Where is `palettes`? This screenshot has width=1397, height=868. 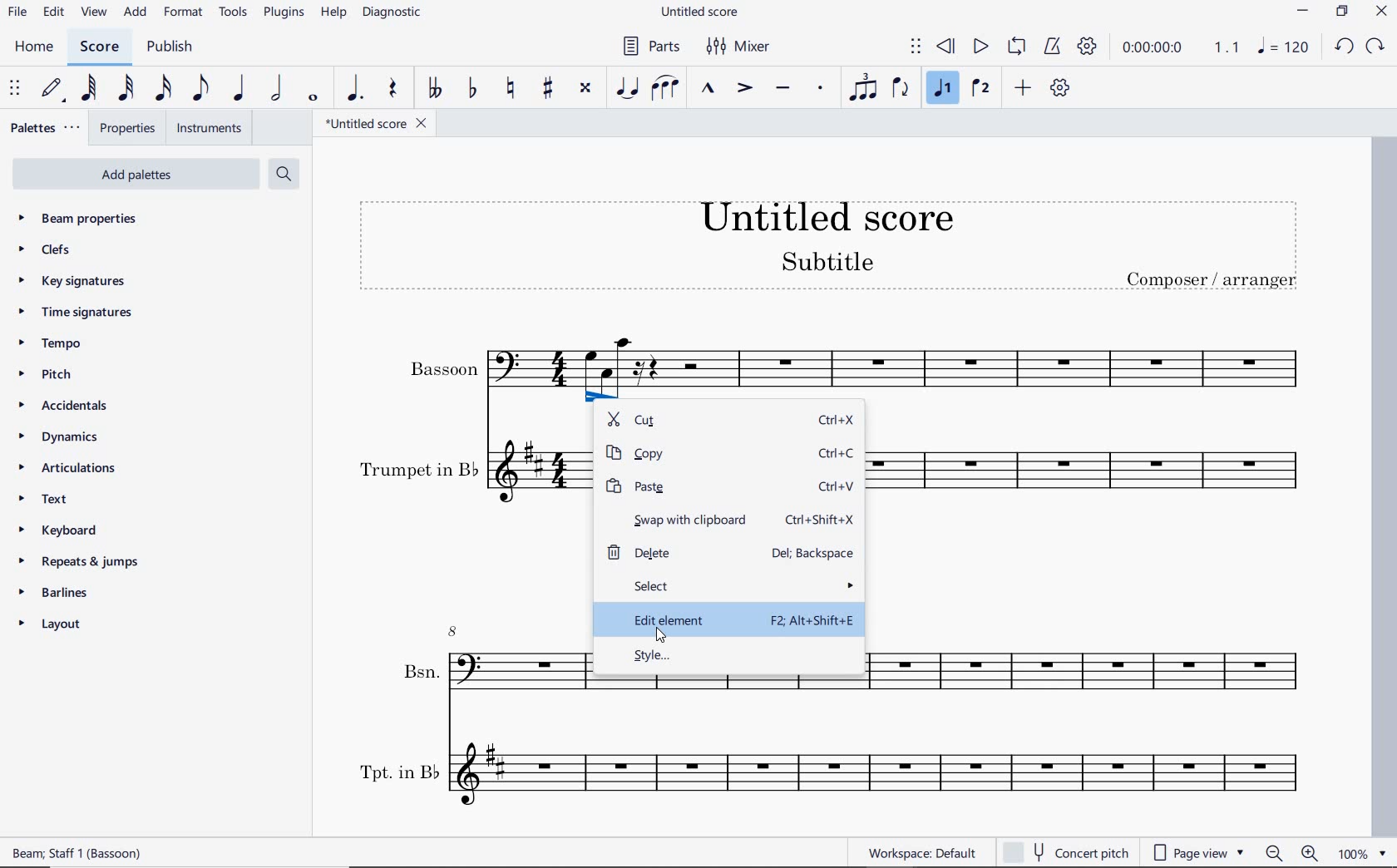 palettes is located at coordinates (44, 128).